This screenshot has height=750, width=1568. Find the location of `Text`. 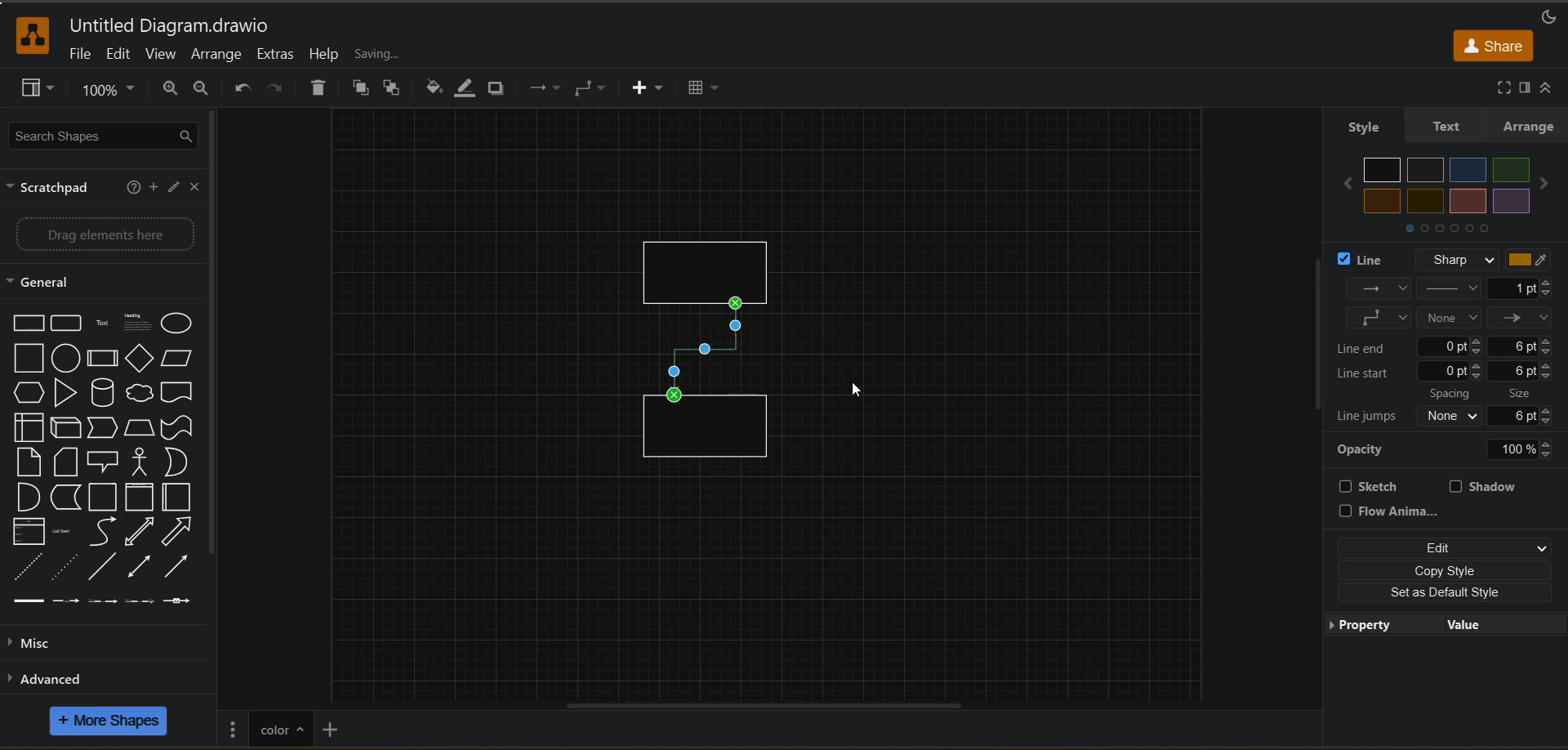

Text is located at coordinates (105, 323).